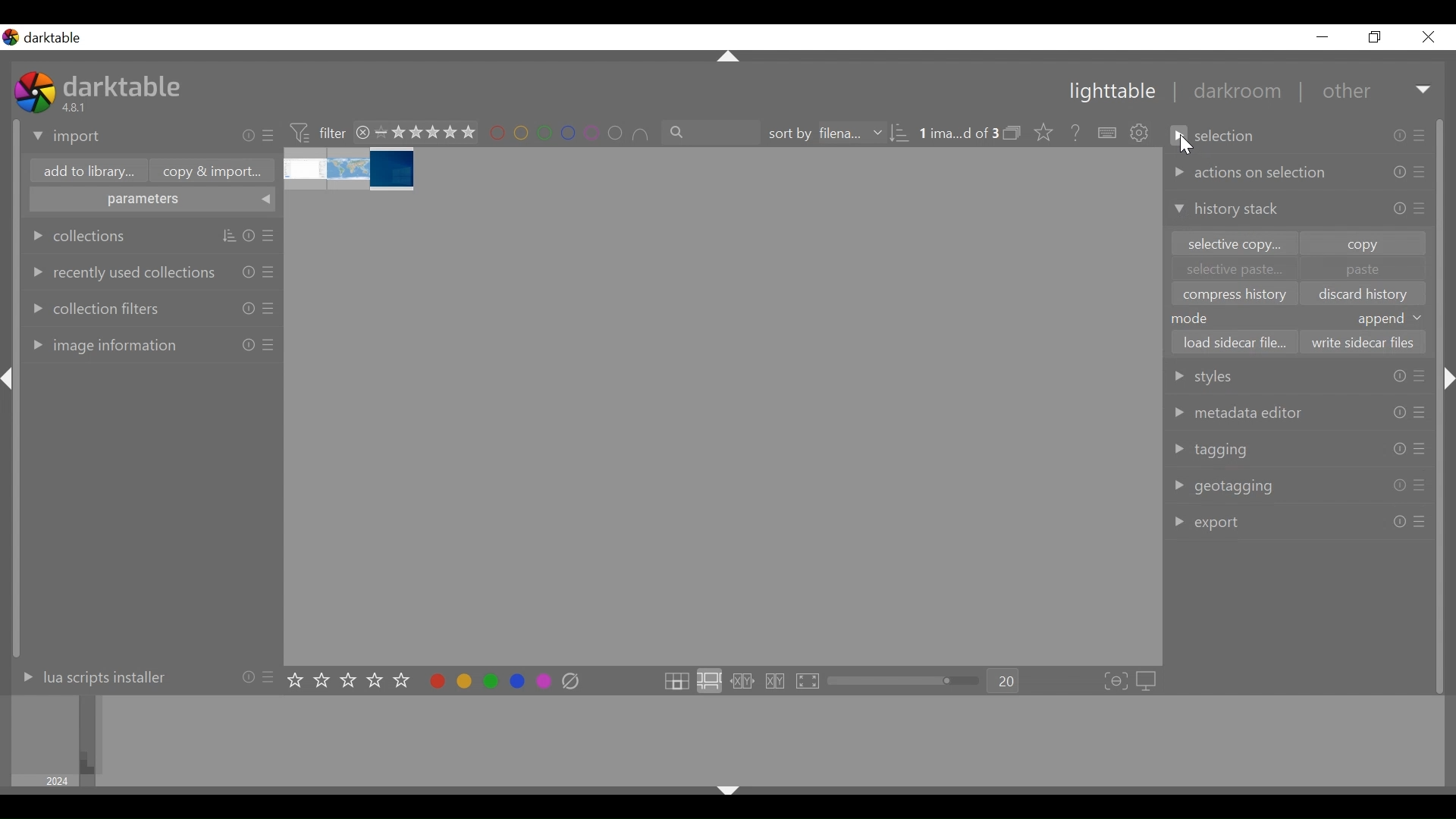  Describe the element at coordinates (270, 136) in the screenshot. I see `presets` at that location.